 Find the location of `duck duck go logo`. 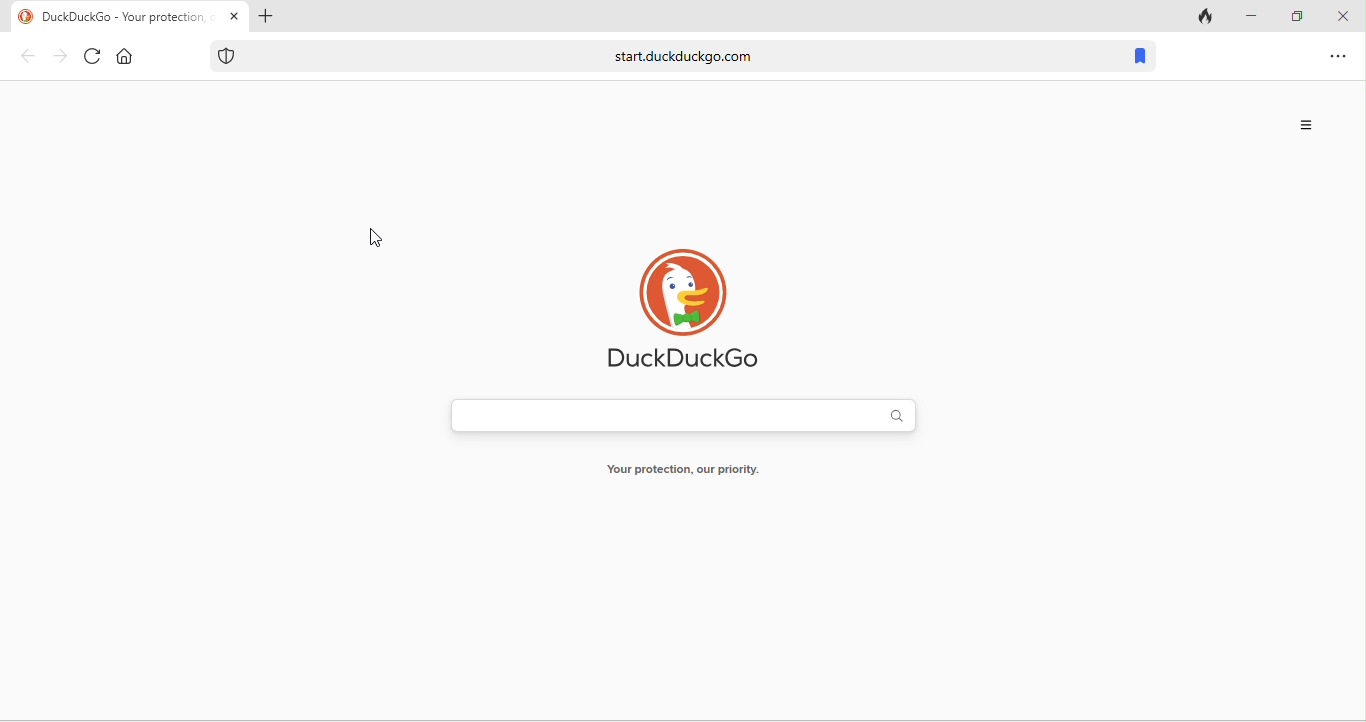

duck duck go logo is located at coordinates (671, 304).